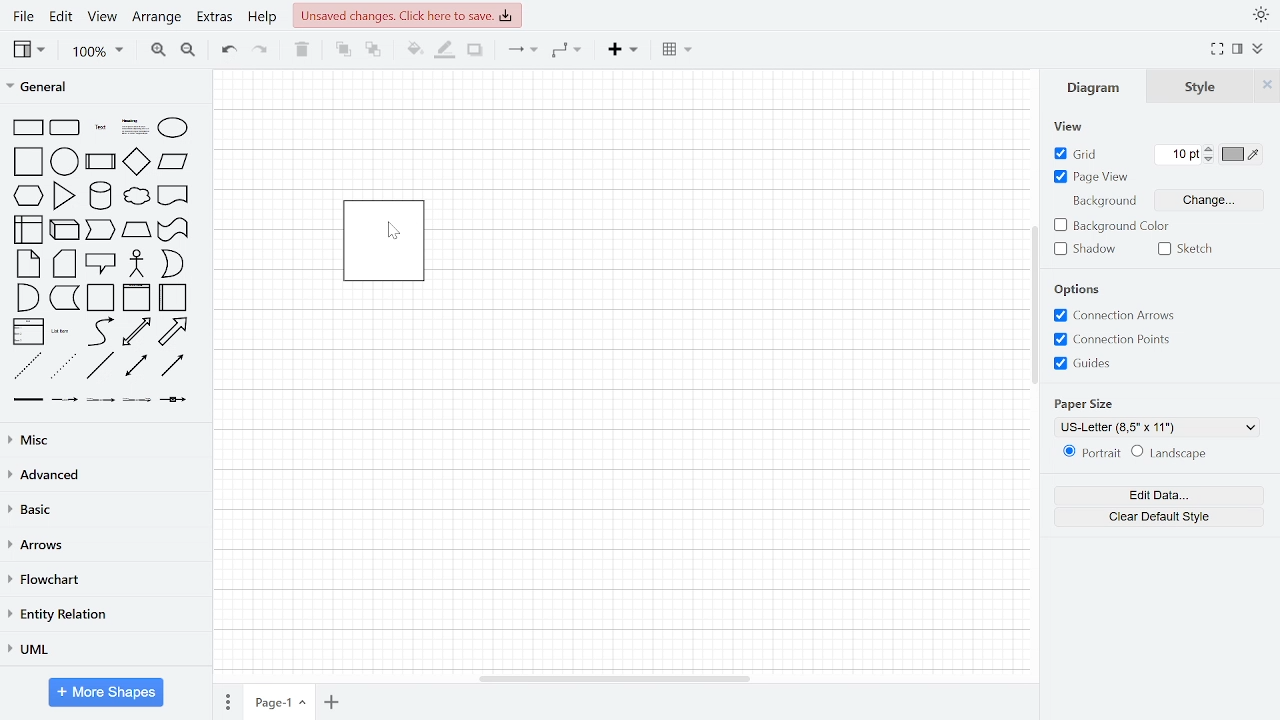  I want to click on current grid pt, so click(1178, 154).